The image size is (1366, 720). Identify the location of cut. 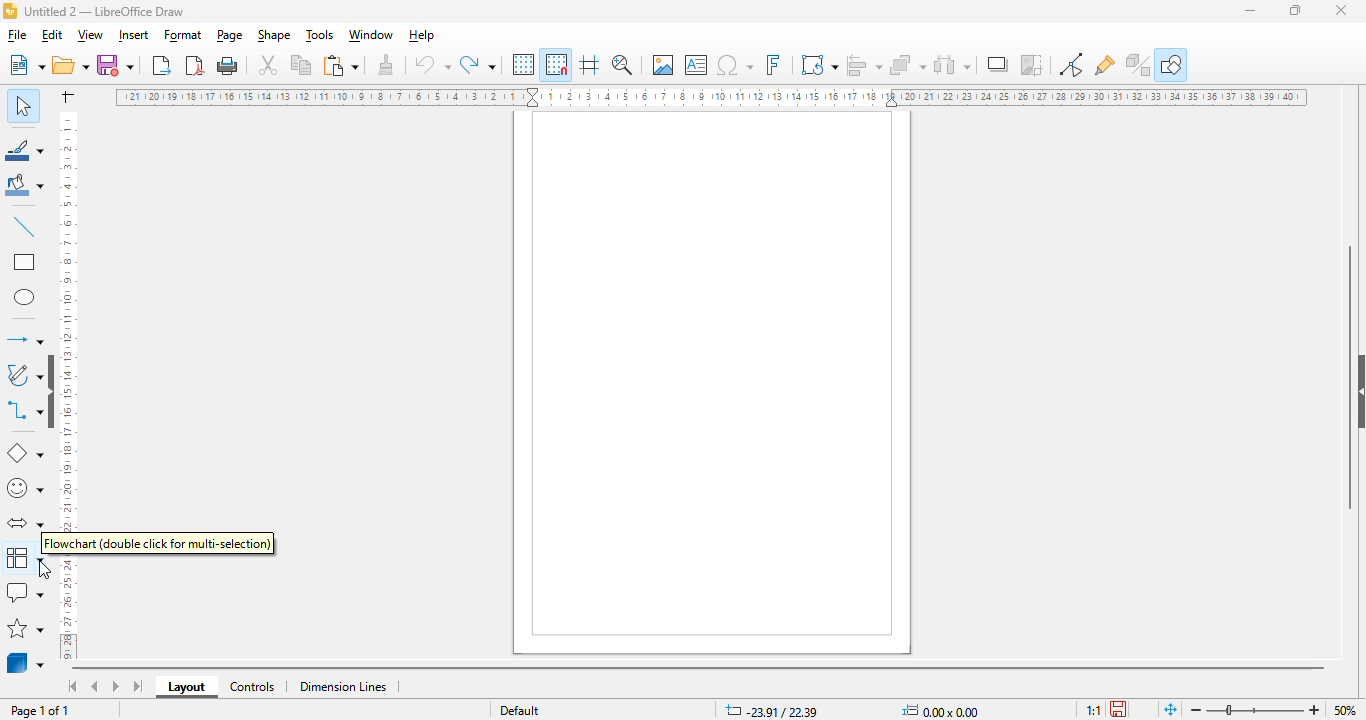
(268, 65).